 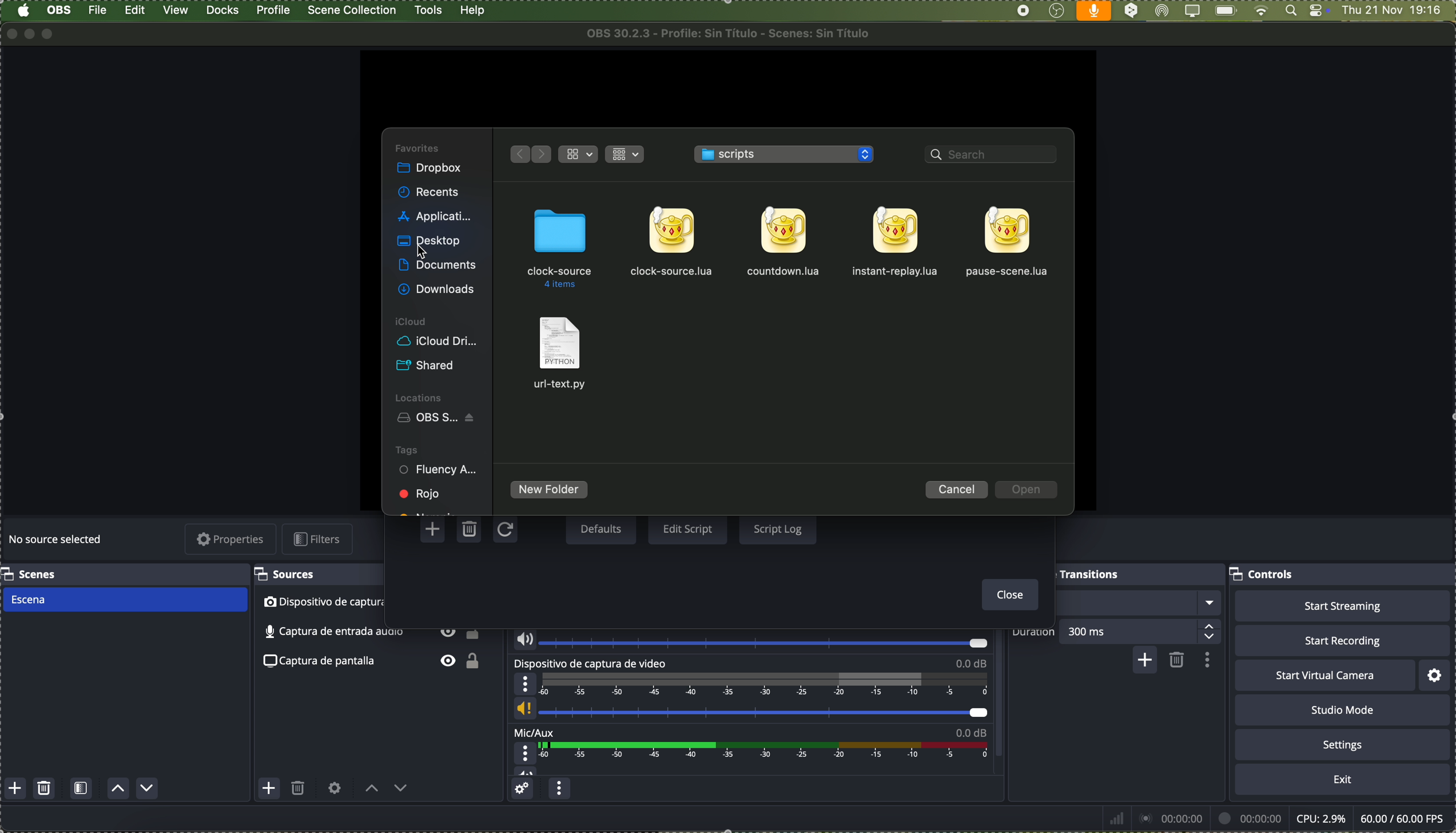 What do you see at coordinates (269, 788) in the screenshot?
I see `add source` at bounding box center [269, 788].